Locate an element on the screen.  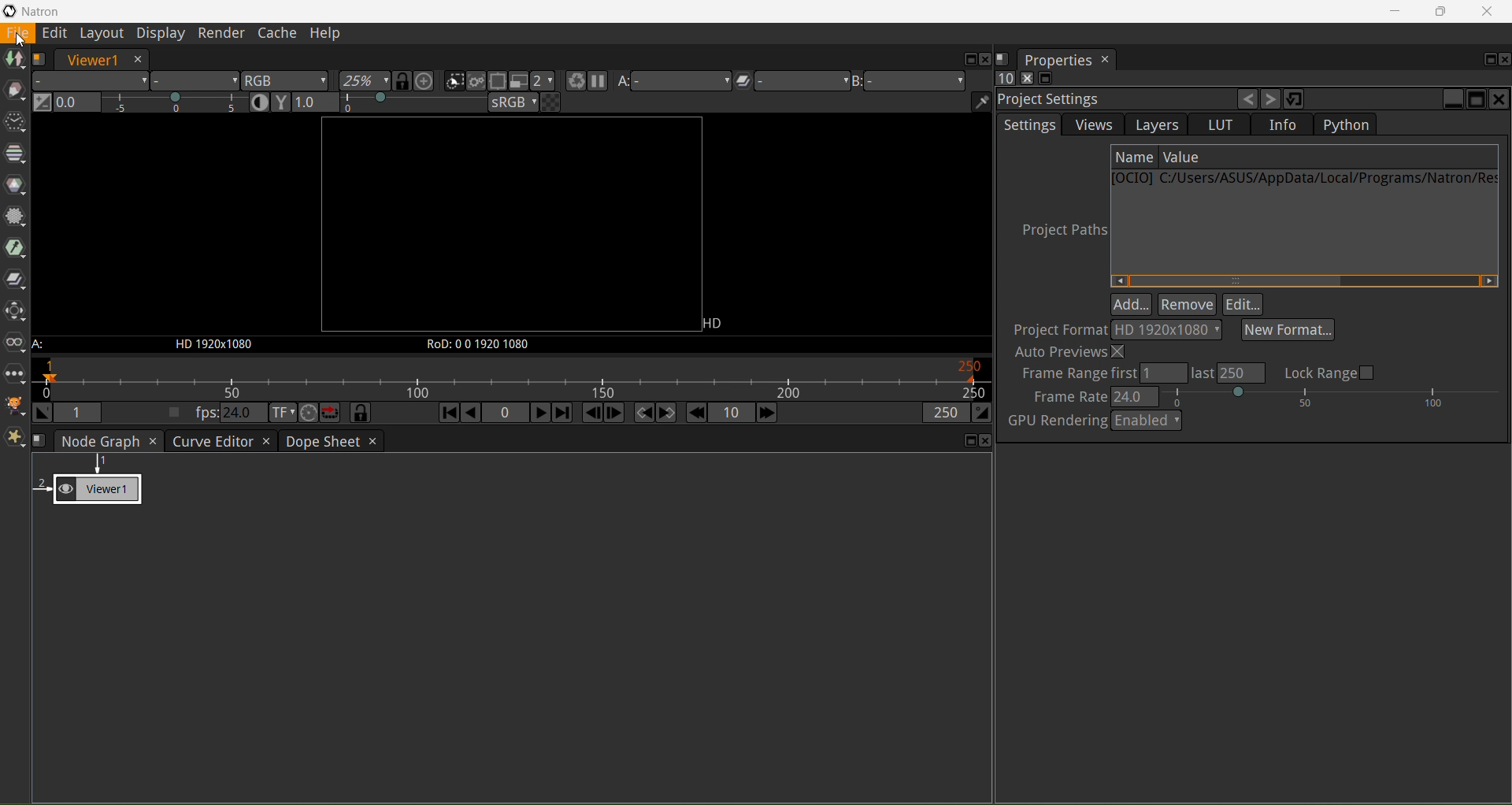
Viewer gamma correction level is located at coordinates (392, 104).